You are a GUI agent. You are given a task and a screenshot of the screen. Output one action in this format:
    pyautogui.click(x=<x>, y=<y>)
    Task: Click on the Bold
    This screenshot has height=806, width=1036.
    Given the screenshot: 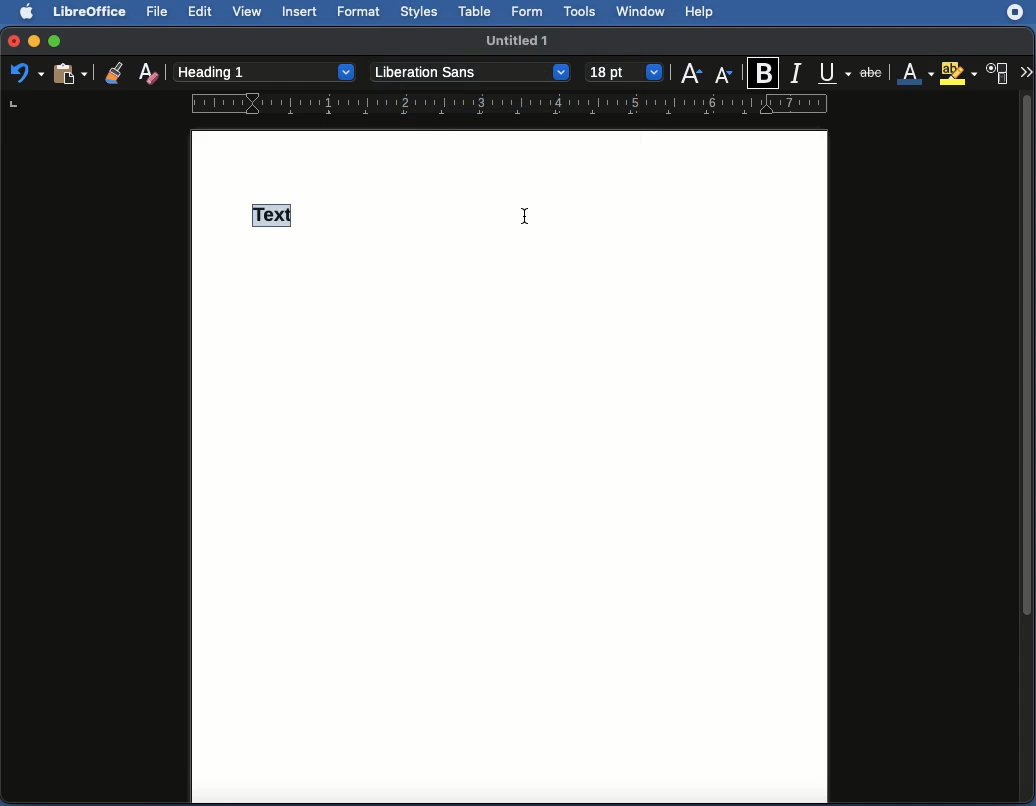 What is the action you would take?
    pyautogui.click(x=764, y=70)
    